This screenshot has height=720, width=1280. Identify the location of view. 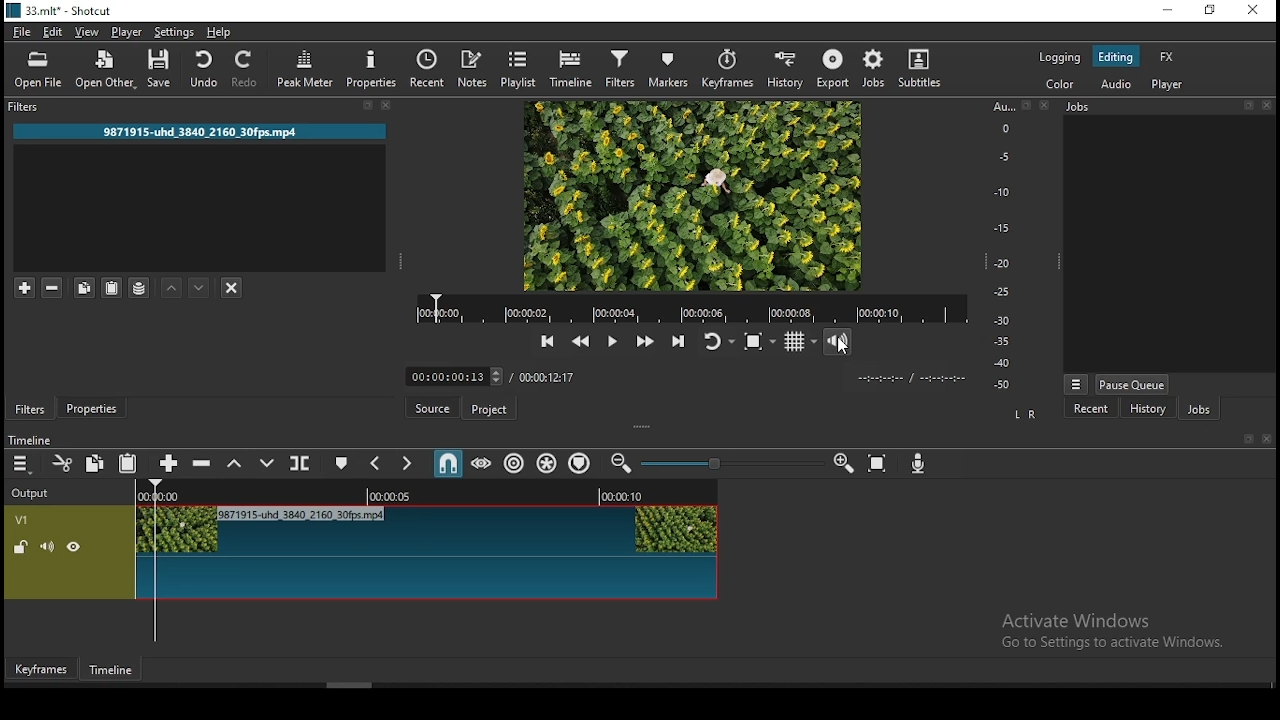
(87, 31).